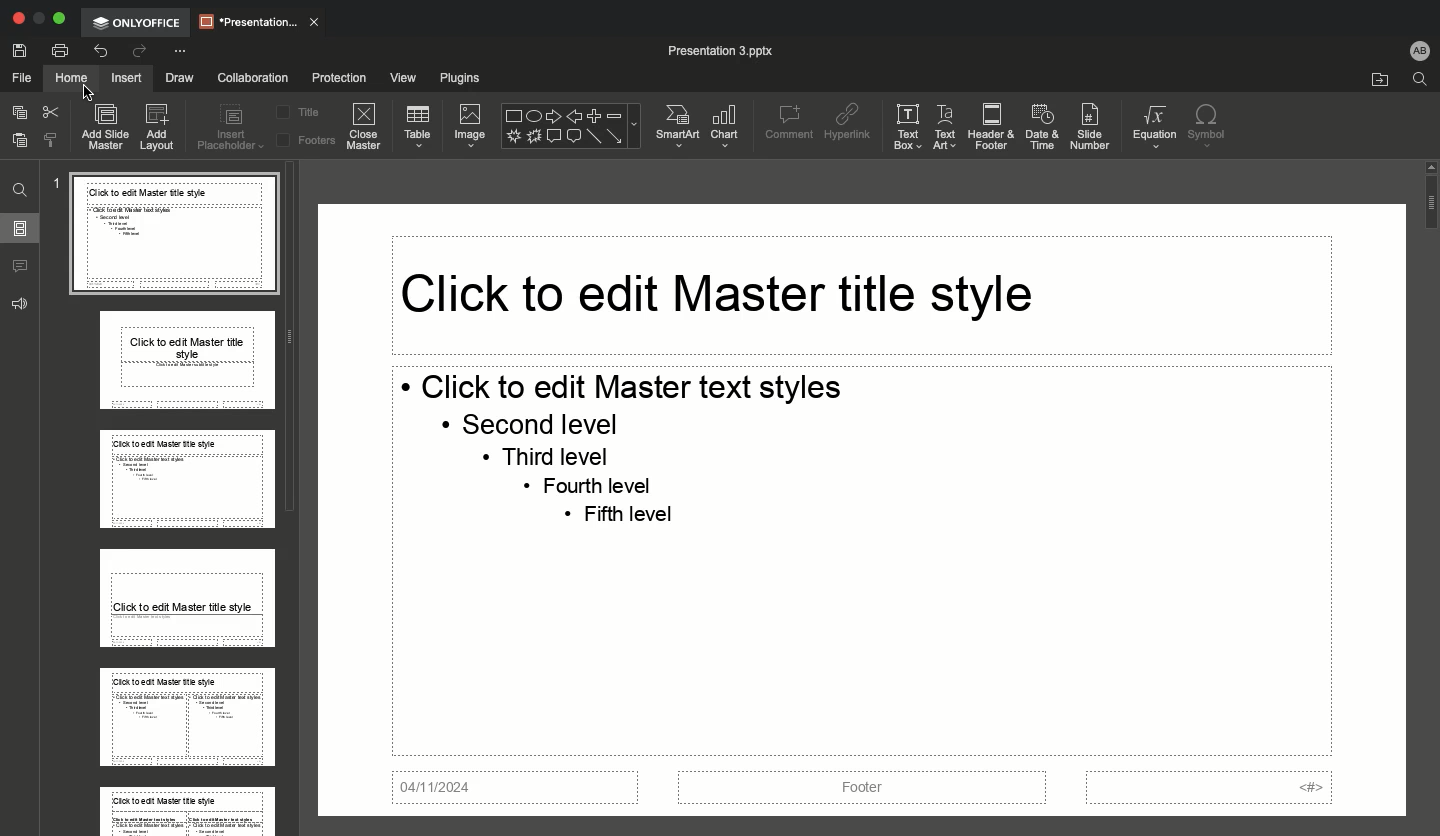 This screenshot has height=836, width=1440. Describe the element at coordinates (1205, 124) in the screenshot. I see `Symbol` at that location.